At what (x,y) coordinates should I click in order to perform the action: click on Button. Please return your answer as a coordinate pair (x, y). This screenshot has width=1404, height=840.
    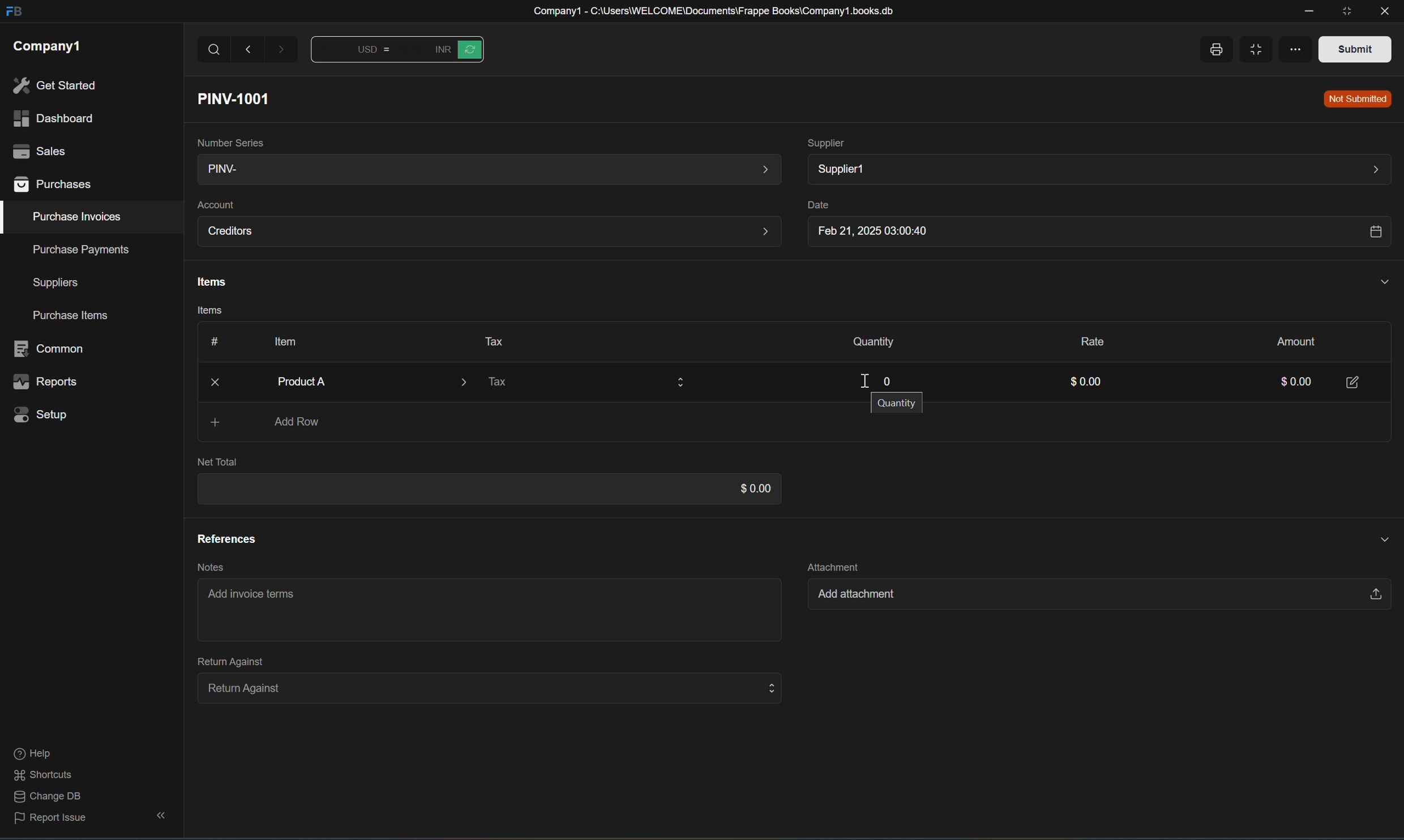
    Looking at the image, I should click on (357, 52).